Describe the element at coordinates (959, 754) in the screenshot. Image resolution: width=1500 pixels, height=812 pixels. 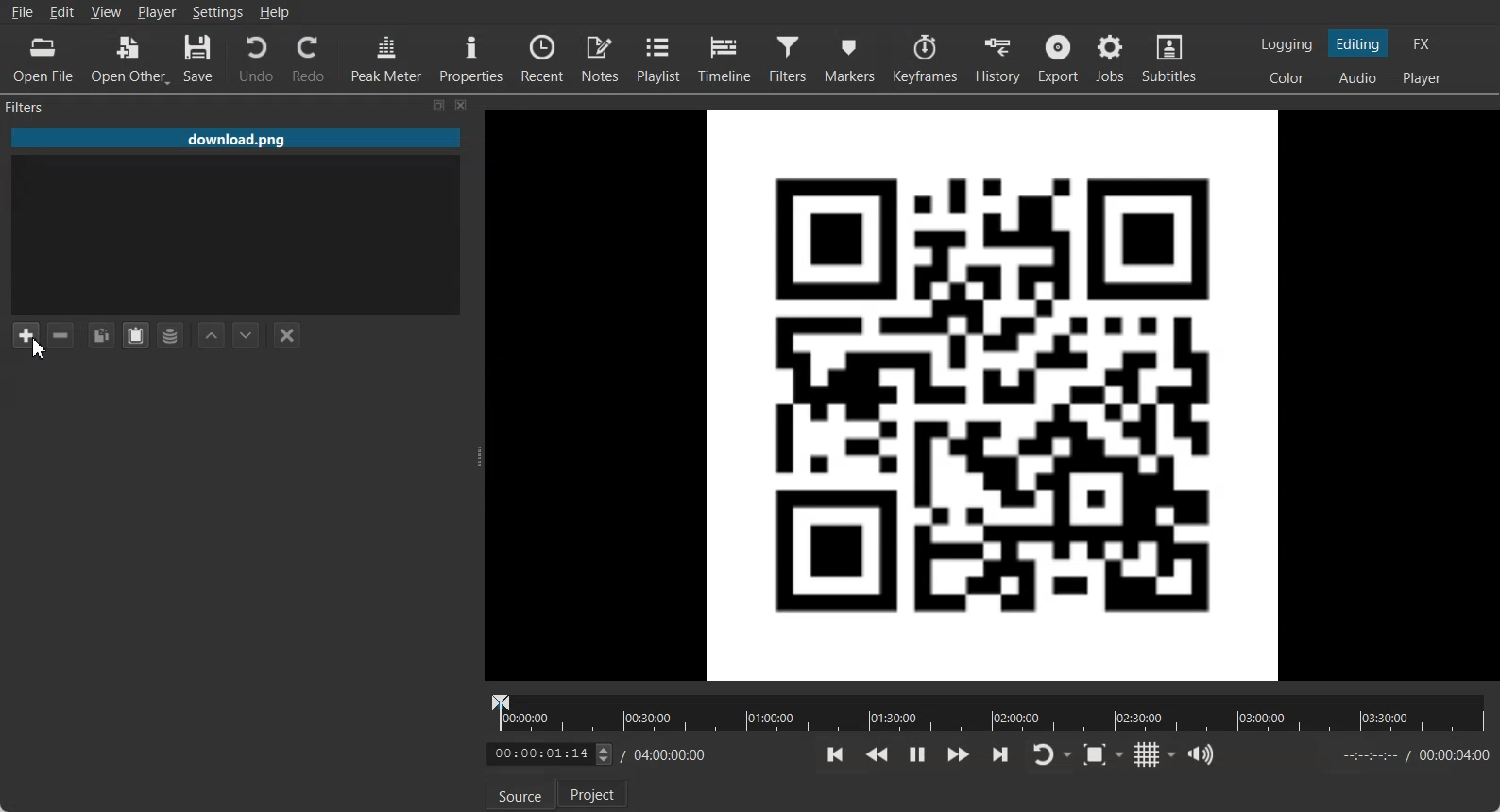
I see `Play Quickly Forward` at that location.